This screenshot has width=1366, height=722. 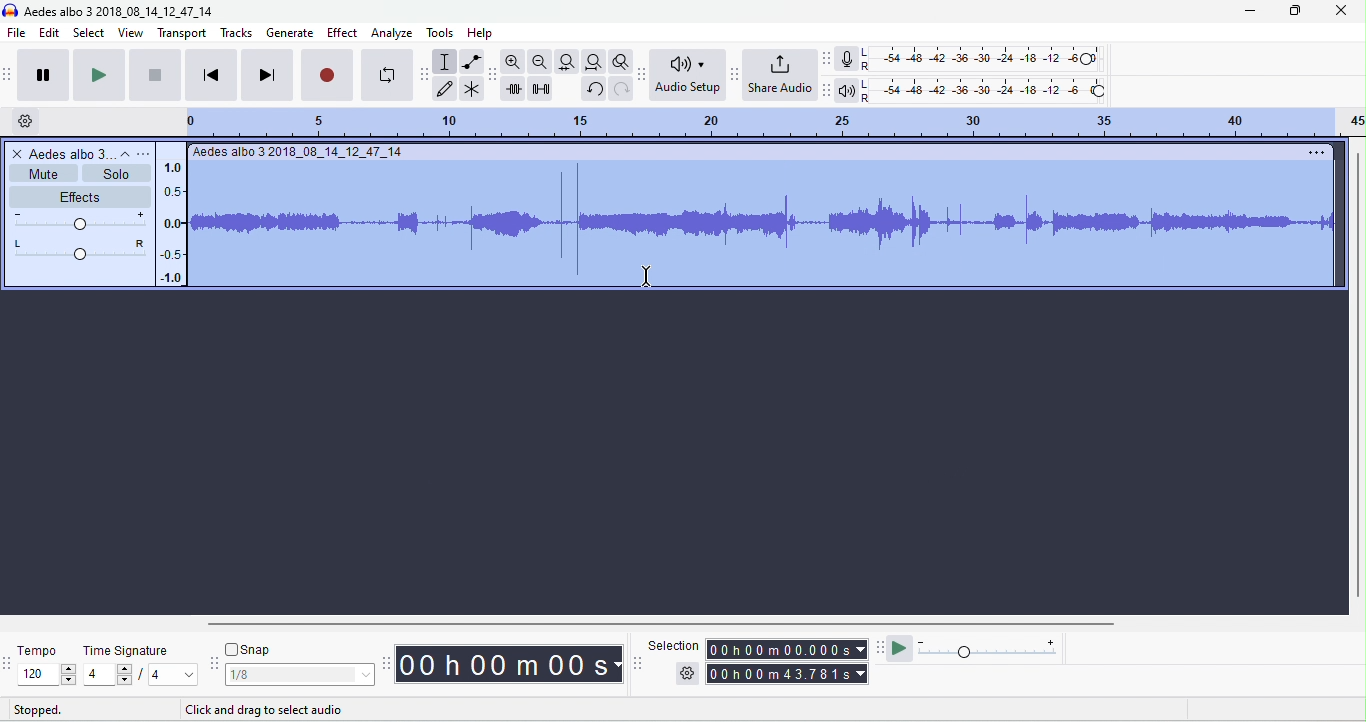 I want to click on track title, so click(x=300, y=153).